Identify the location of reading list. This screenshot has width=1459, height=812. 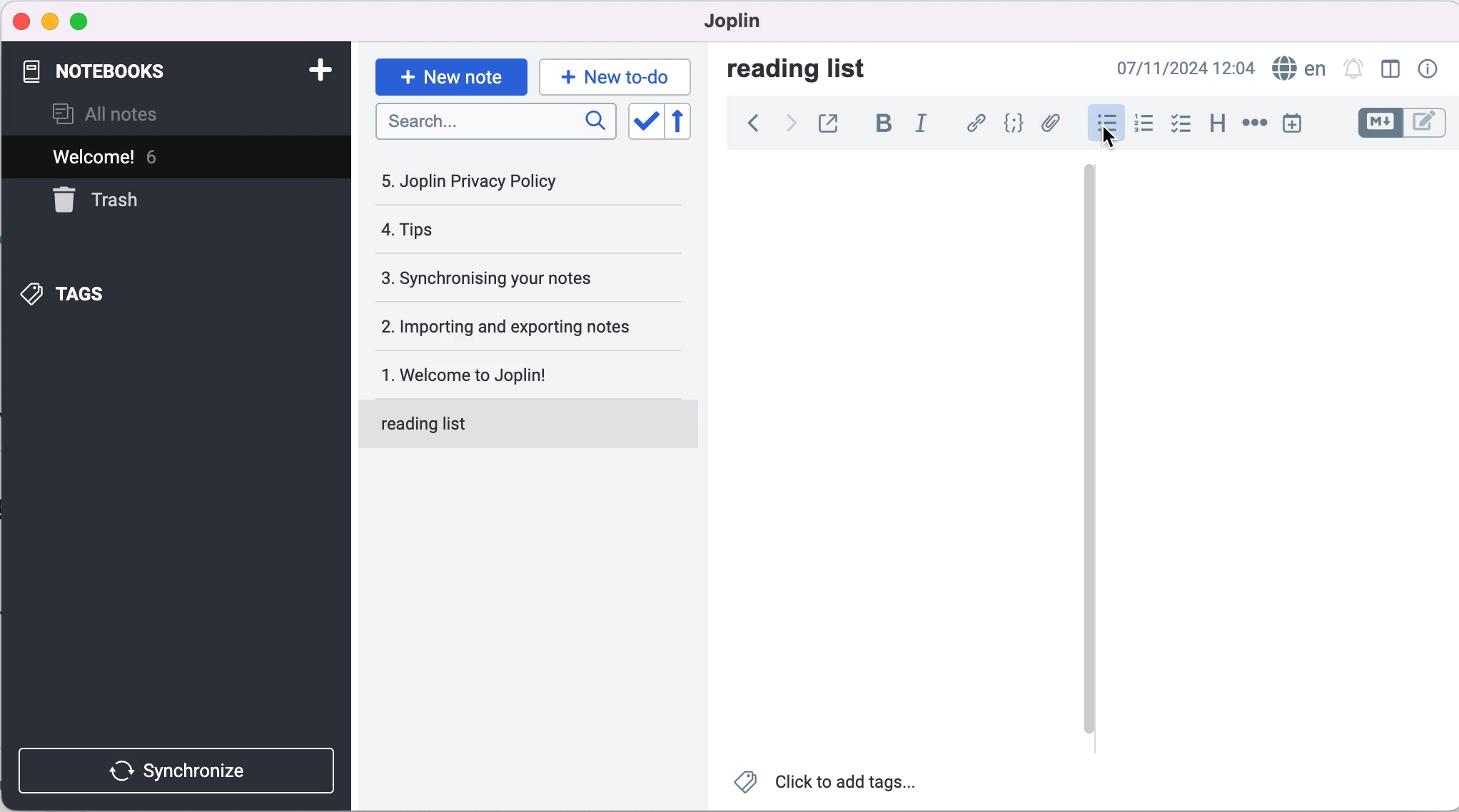
(814, 70).